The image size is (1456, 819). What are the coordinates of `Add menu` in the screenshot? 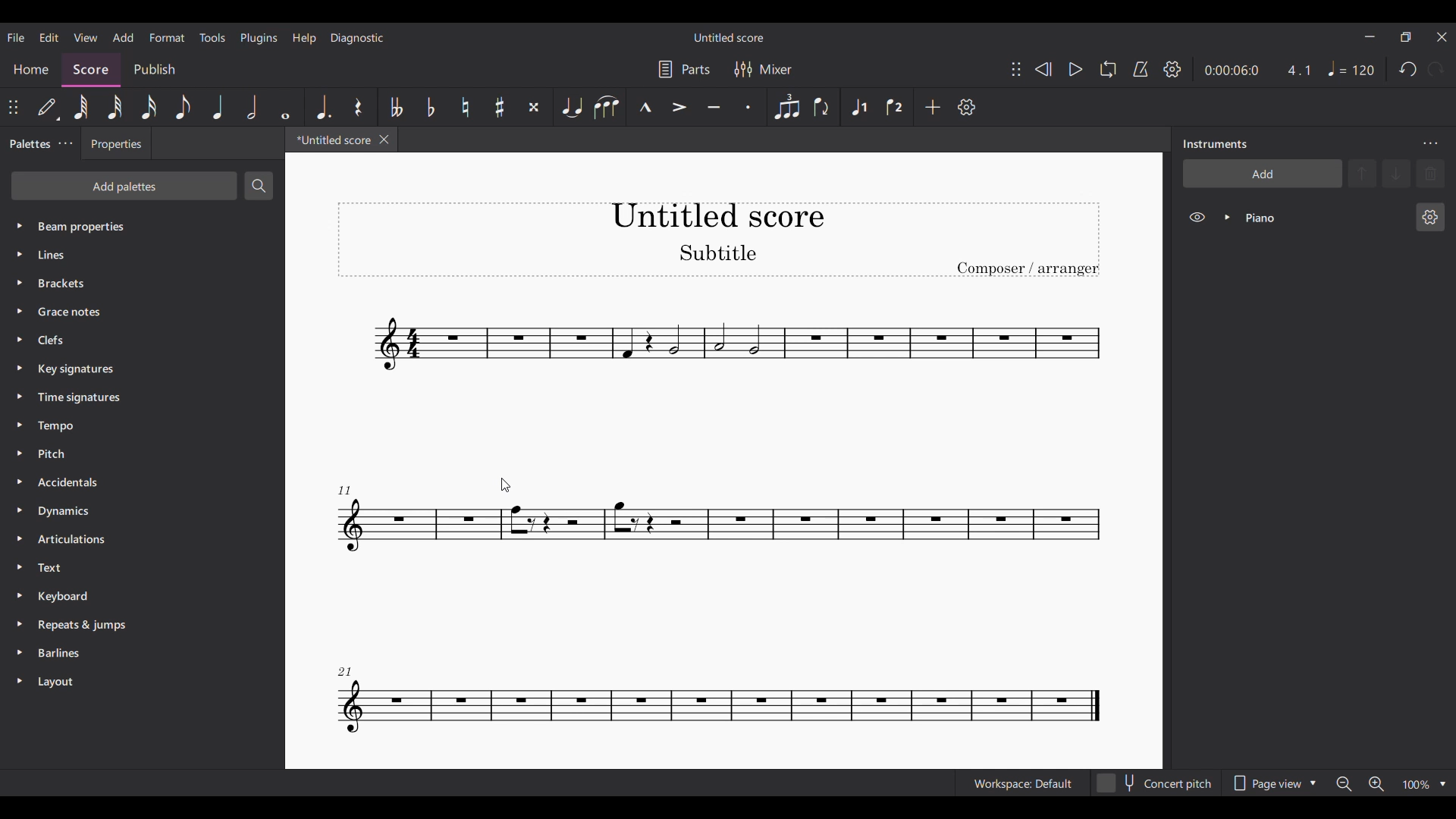 It's located at (124, 37).